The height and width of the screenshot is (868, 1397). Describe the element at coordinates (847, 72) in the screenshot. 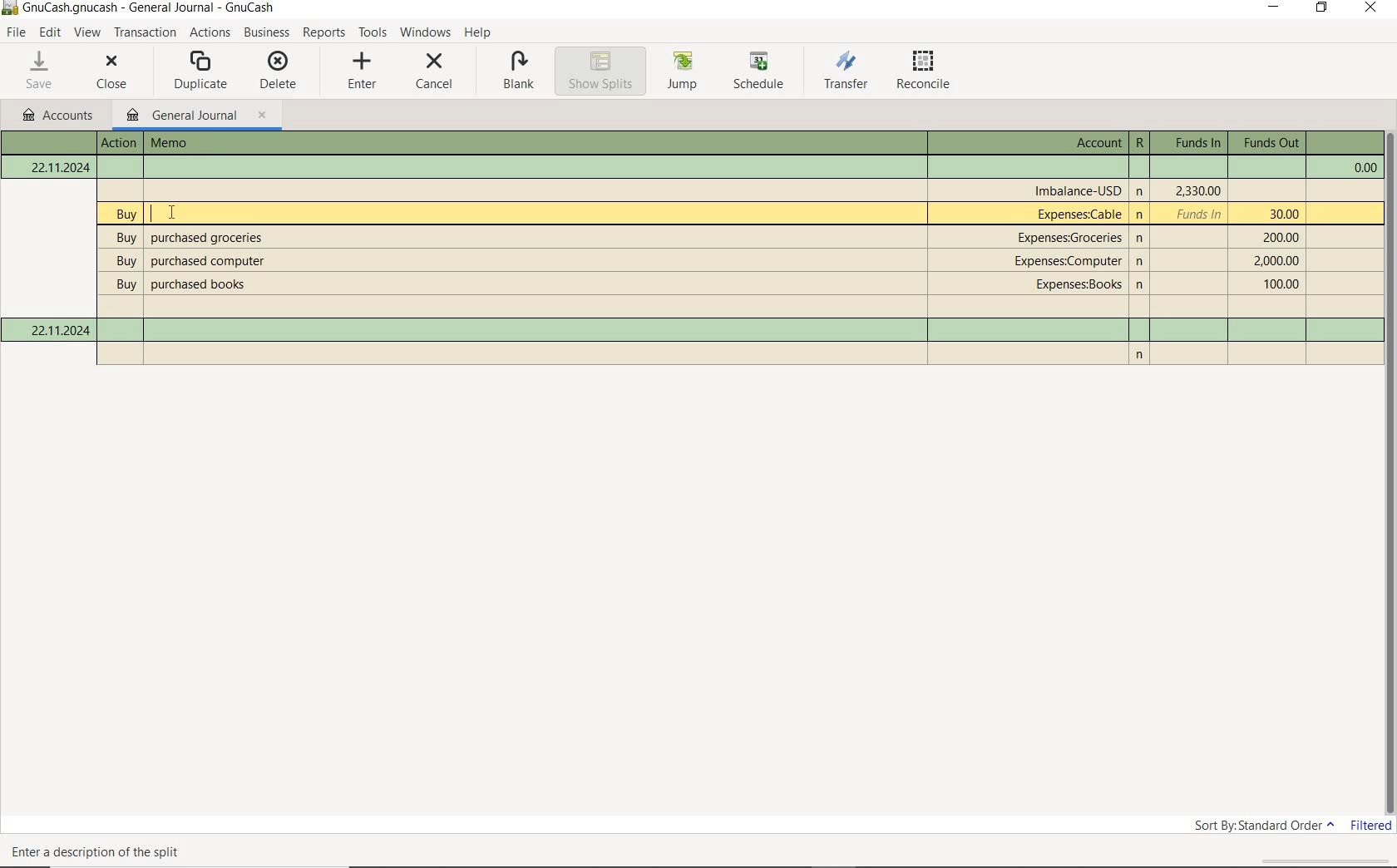

I see `transfer` at that location.